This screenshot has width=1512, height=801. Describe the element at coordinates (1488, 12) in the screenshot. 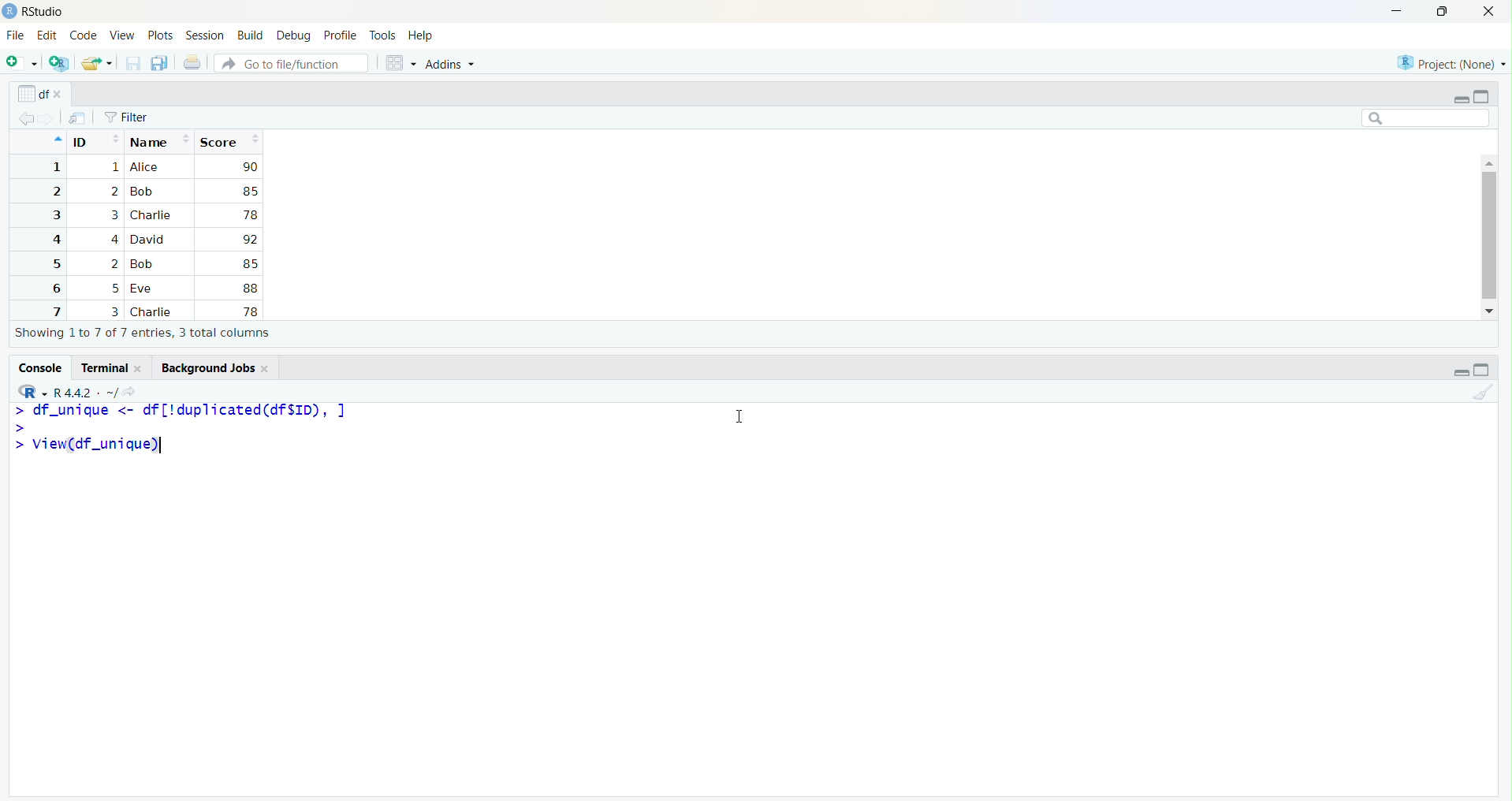

I see `close` at that location.